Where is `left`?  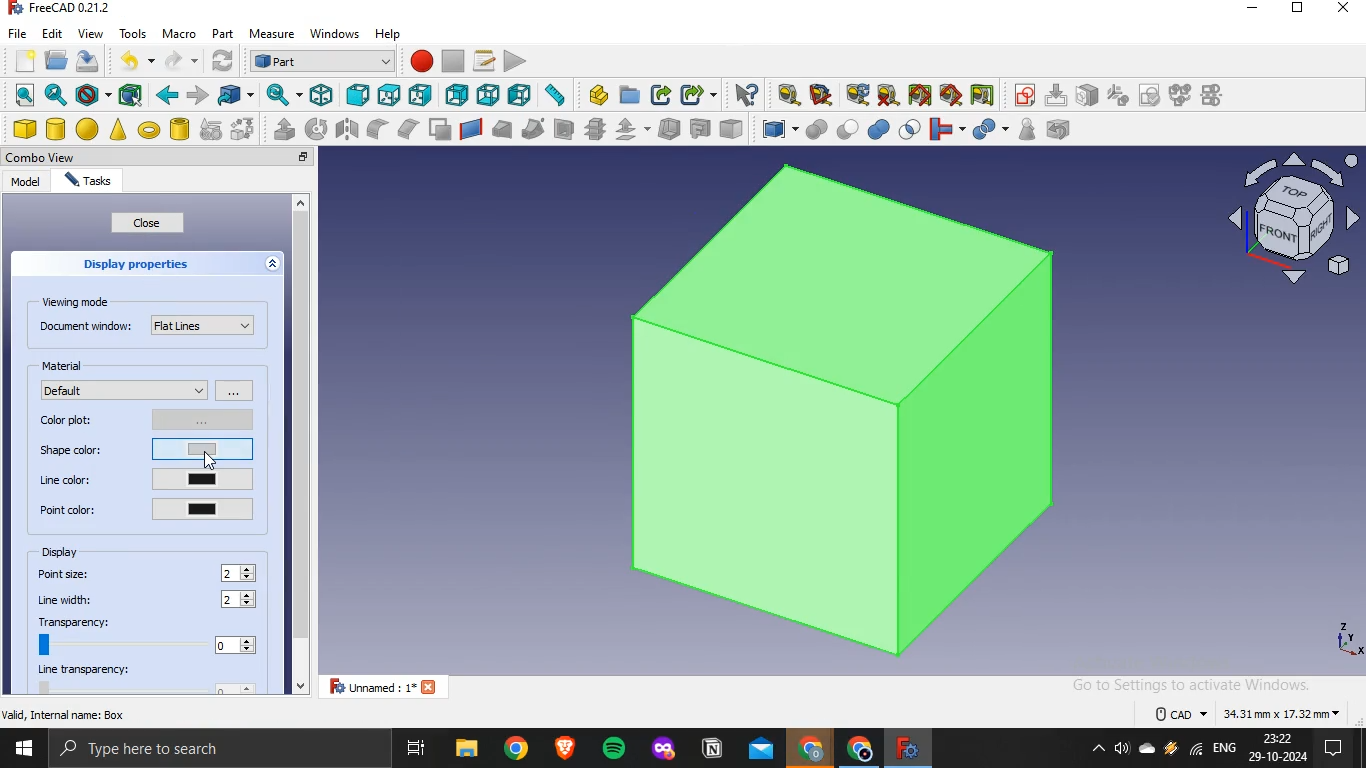 left is located at coordinates (520, 94).